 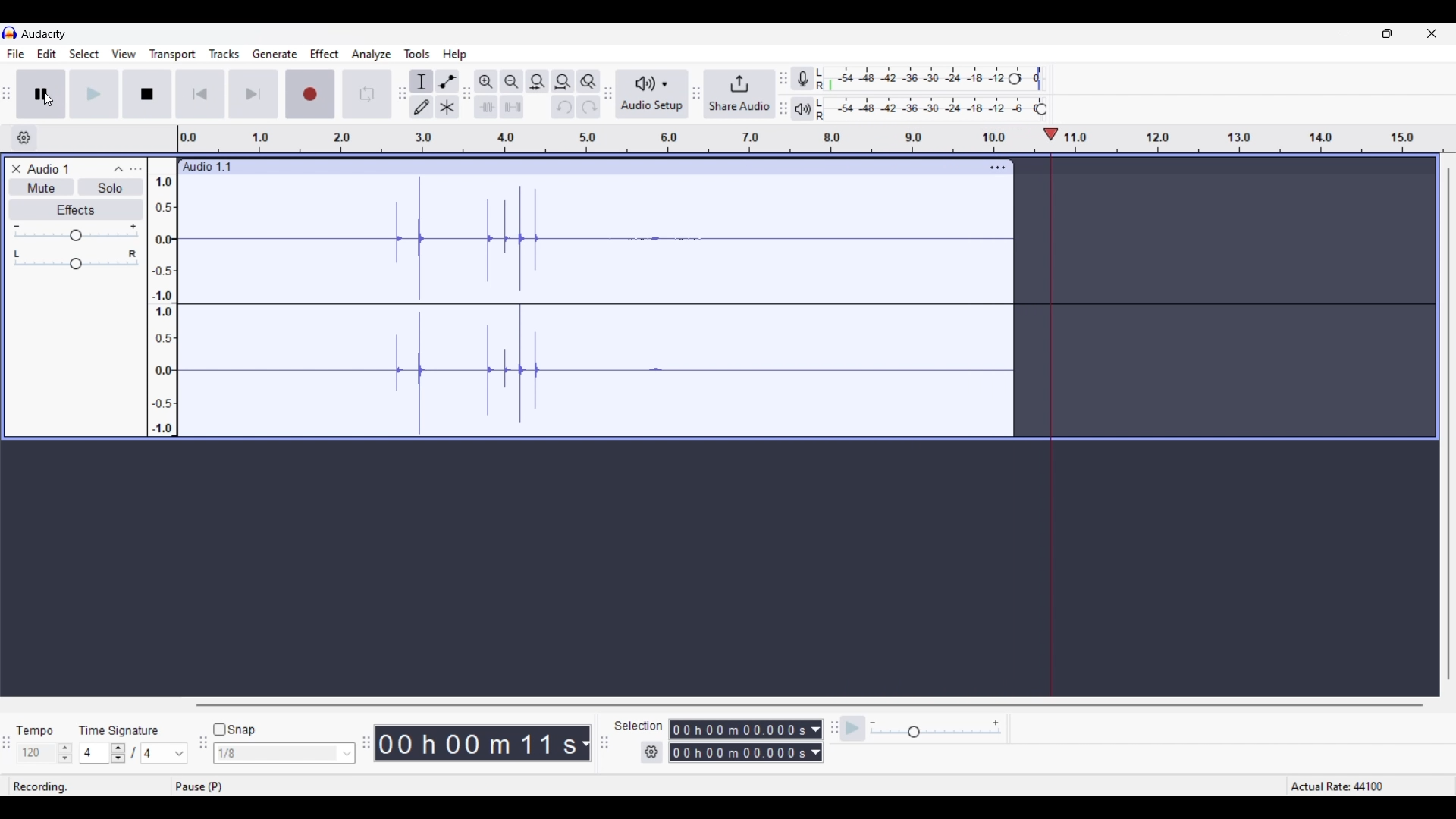 What do you see at coordinates (17, 226) in the screenshot?
I see `Minimum gain` at bounding box center [17, 226].